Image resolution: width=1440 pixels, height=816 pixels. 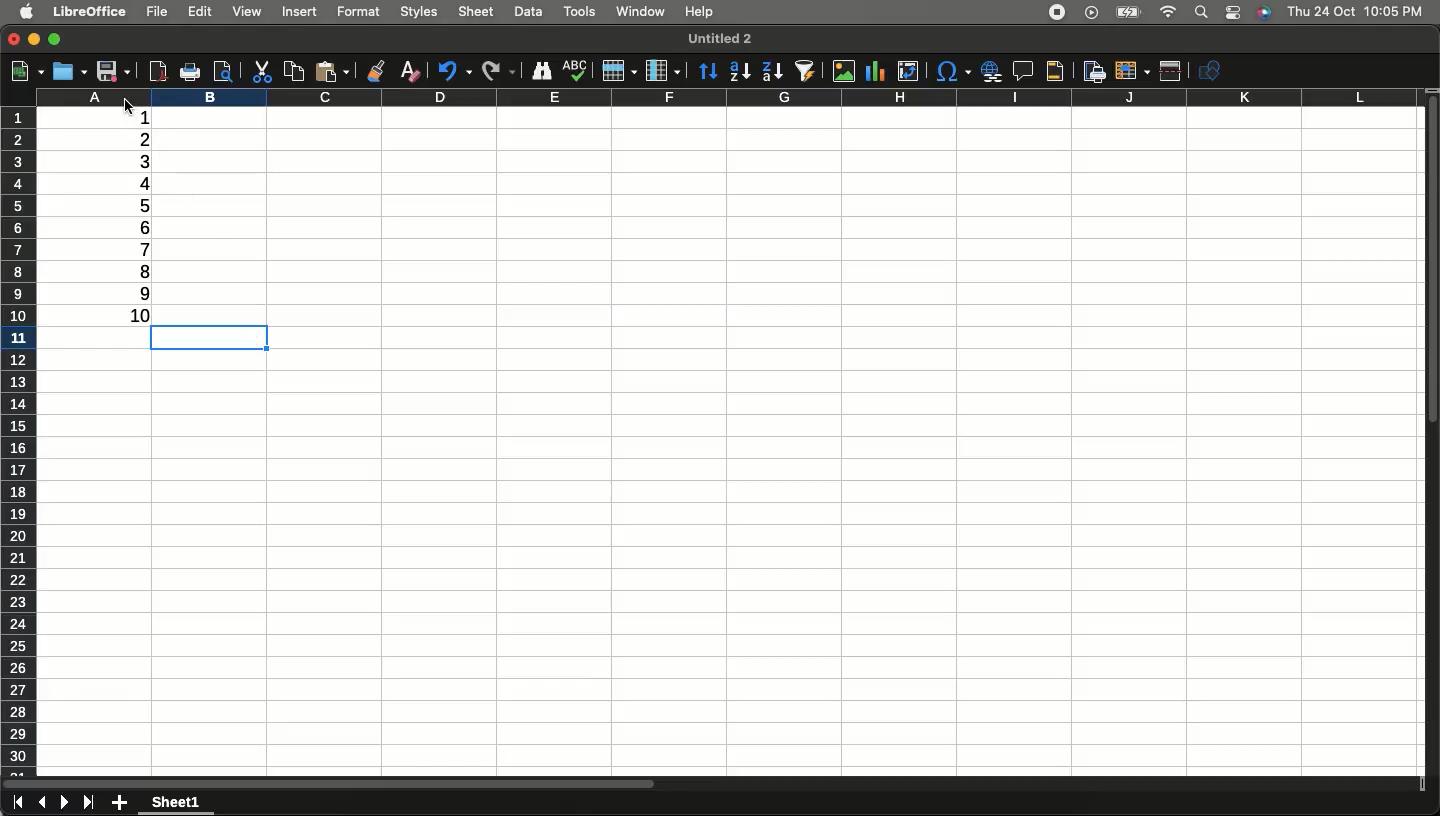 What do you see at coordinates (142, 226) in the screenshot?
I see `6` at bounding box center [142, 226].